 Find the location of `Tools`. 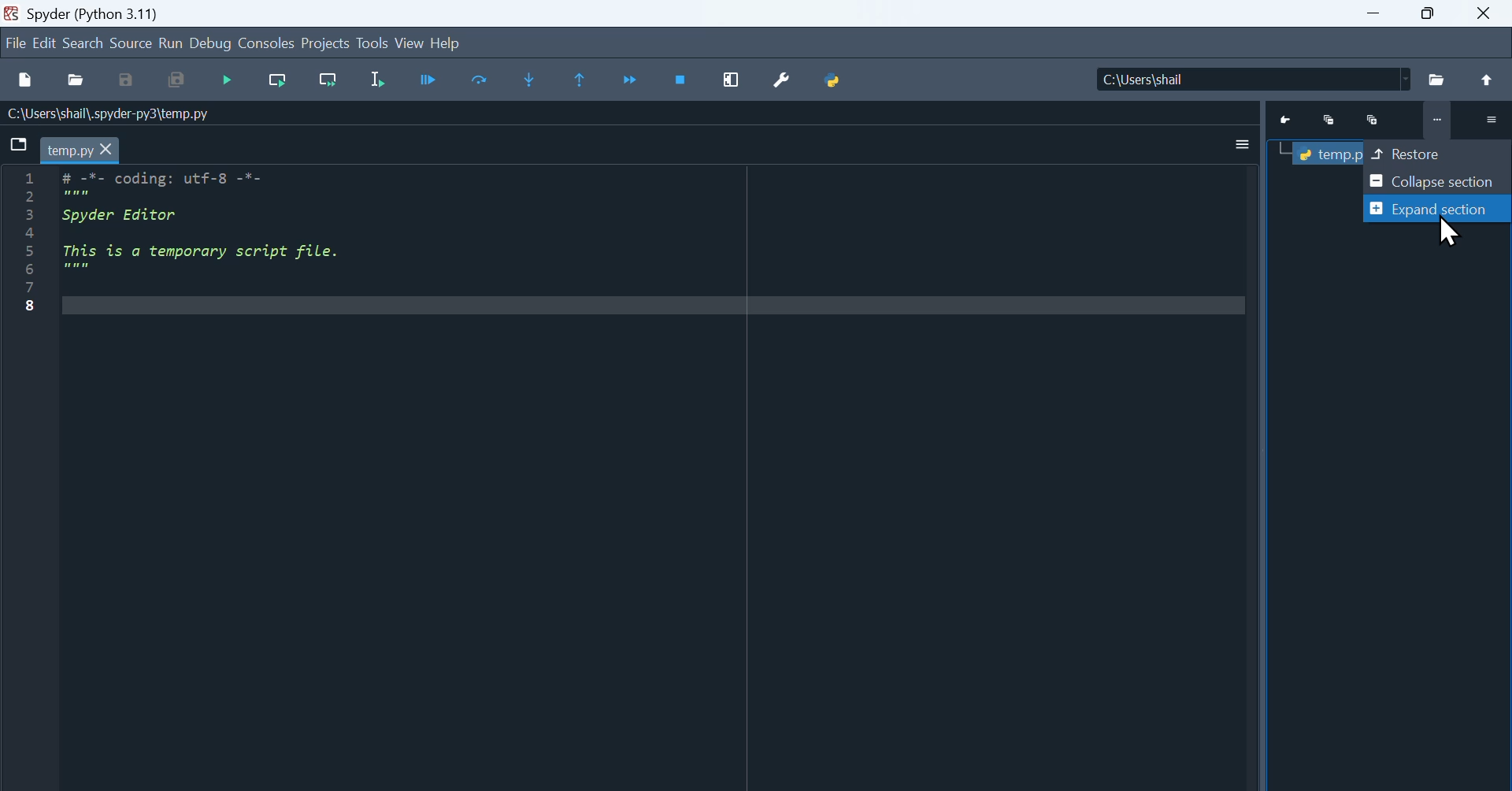

Tools is located at coordinates (372, 43).